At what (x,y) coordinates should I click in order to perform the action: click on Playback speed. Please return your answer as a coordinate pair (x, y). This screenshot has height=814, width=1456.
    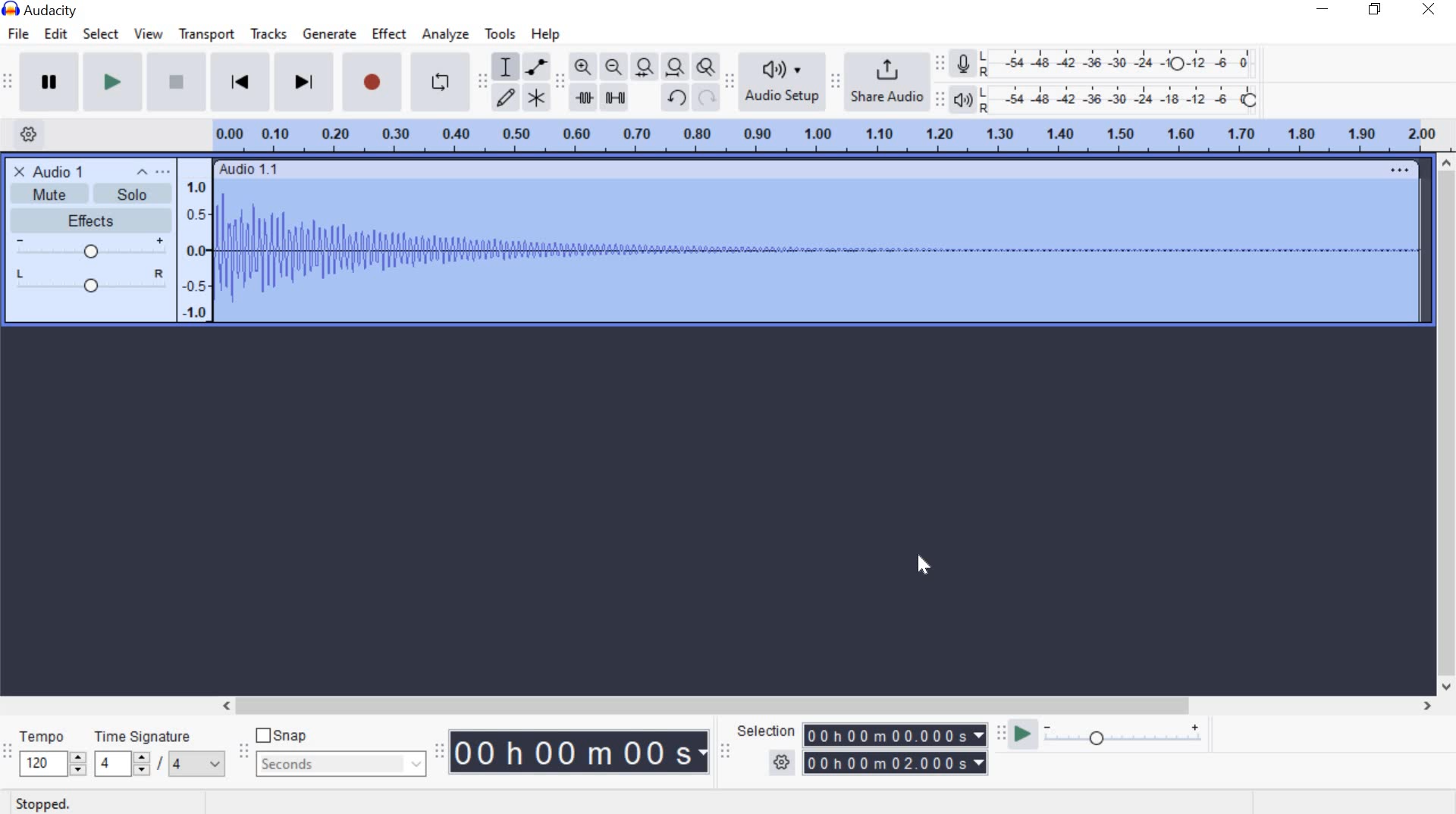
    Looking at the image, I should click on (1123, 740).